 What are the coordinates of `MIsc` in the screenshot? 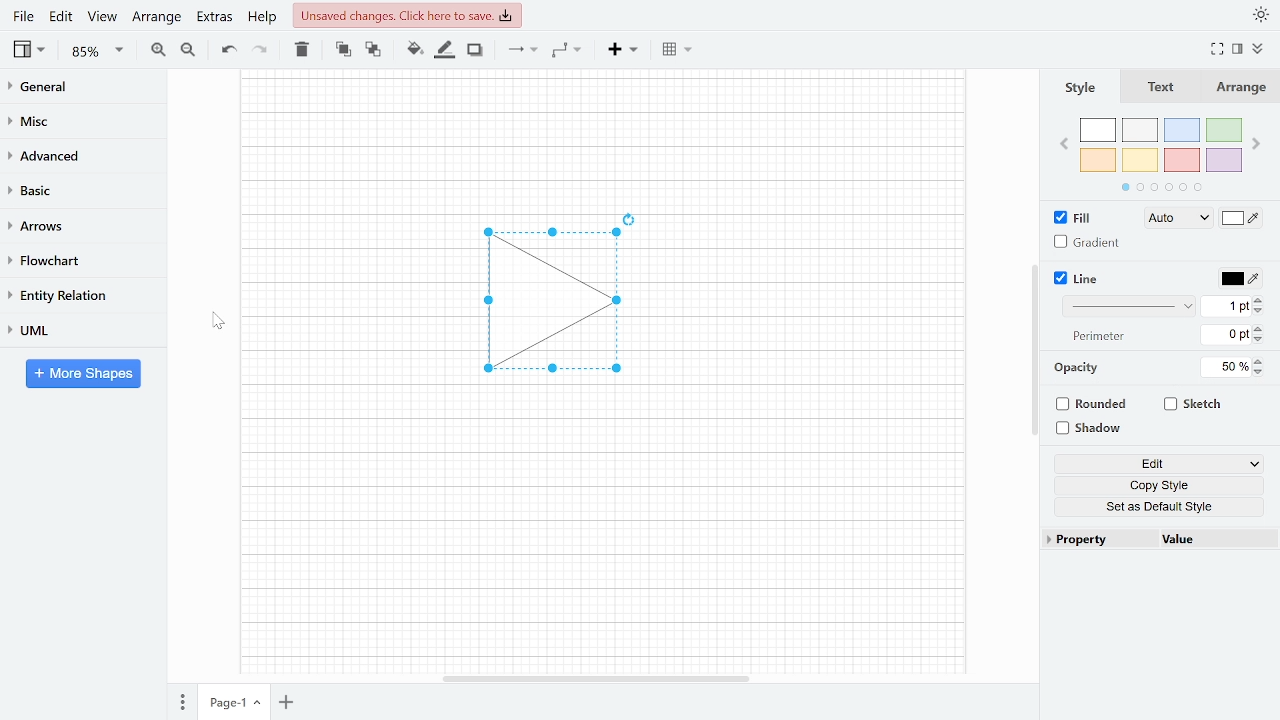 It's located at (75, 120).